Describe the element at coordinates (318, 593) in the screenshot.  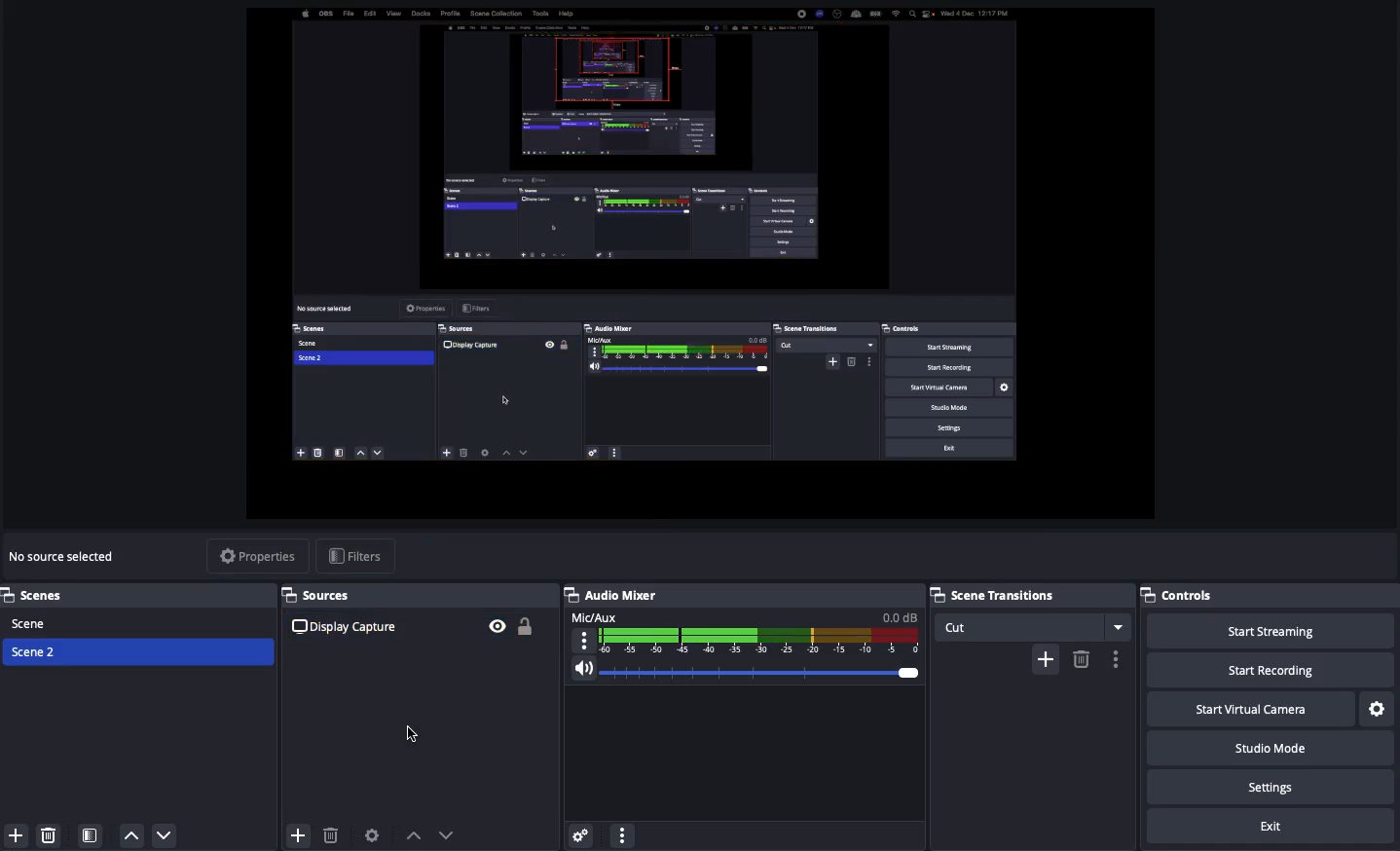
I see `Sources` at that location.